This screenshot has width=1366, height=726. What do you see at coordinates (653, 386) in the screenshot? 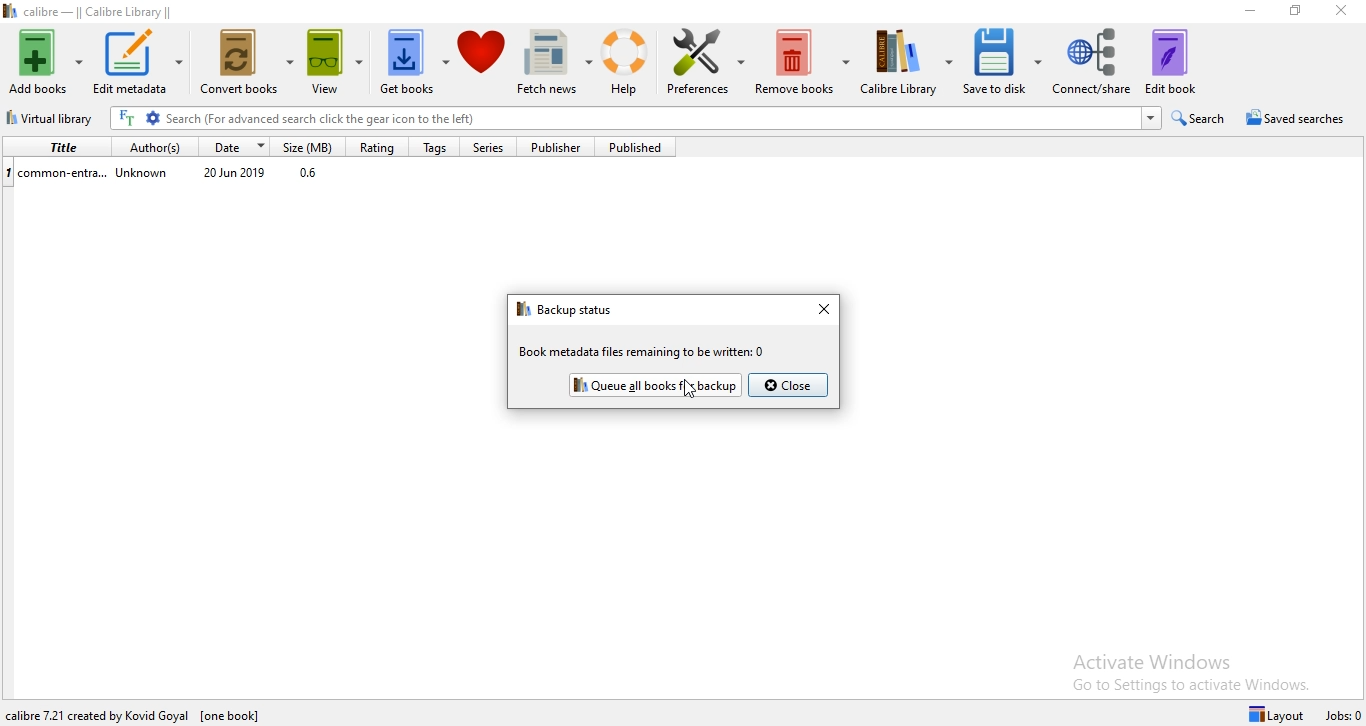
I see `queue all books for backup` at bounding box center [653, 386].